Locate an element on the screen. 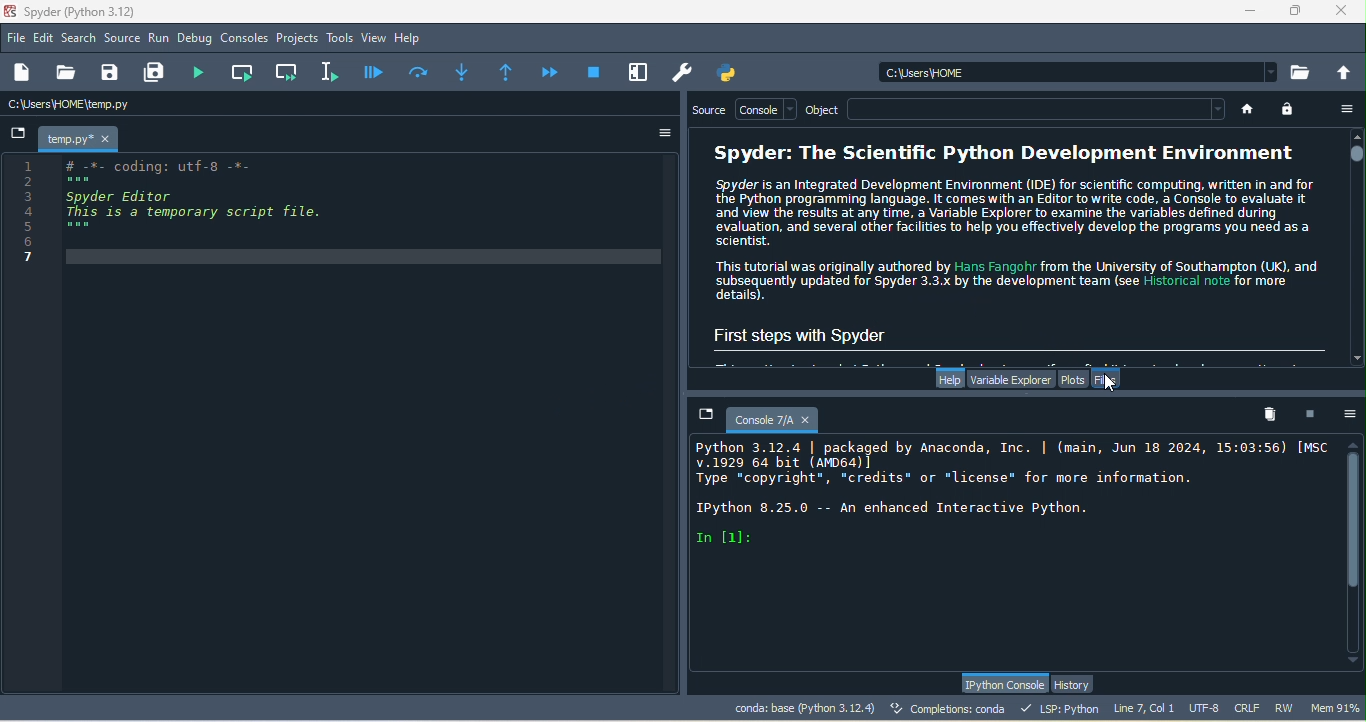  temp.py is located at coordinates (82, 138).